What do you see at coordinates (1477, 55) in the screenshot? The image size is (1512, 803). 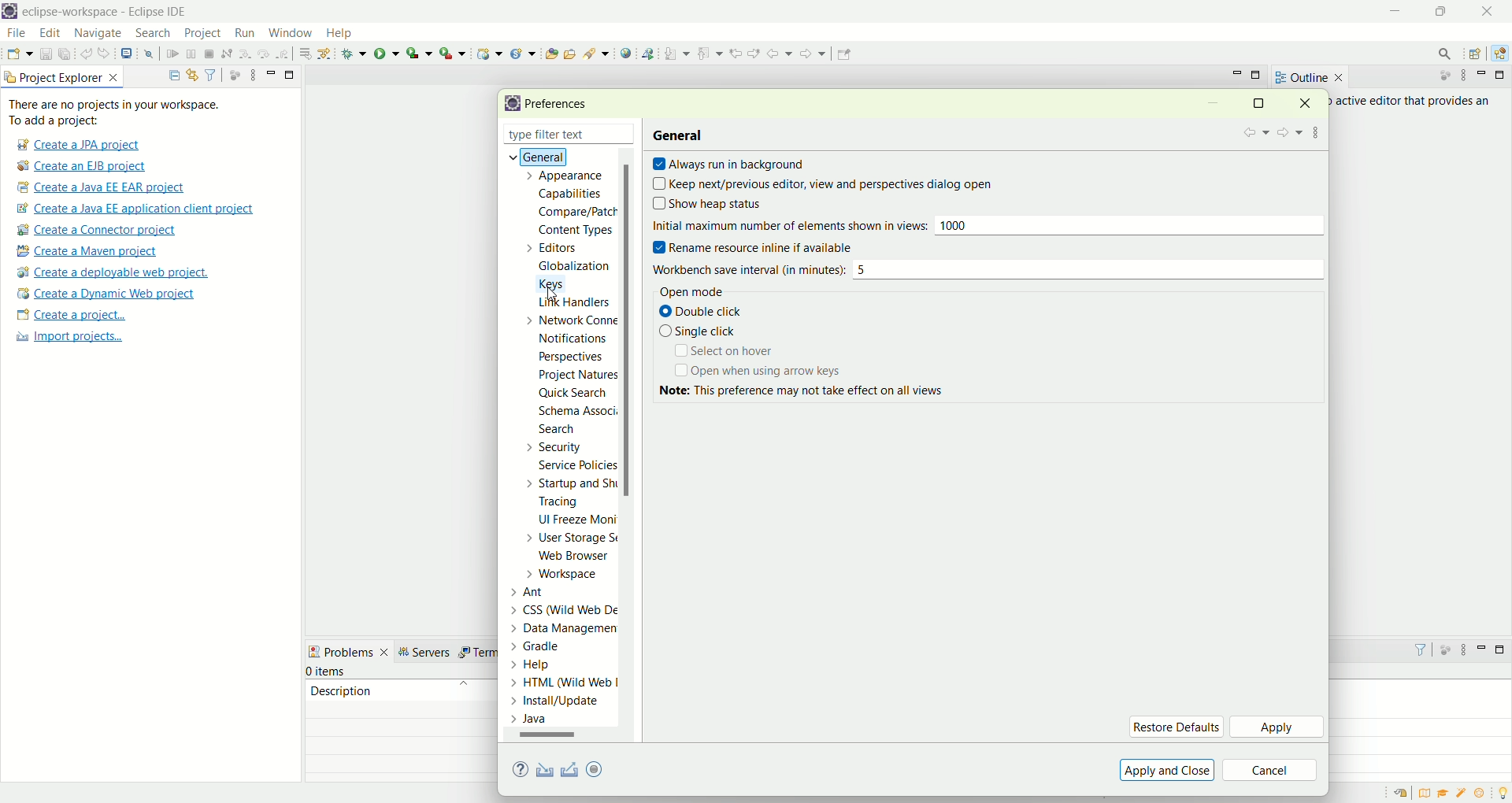 I see `open perspective` at bounding box center [1477, 55].